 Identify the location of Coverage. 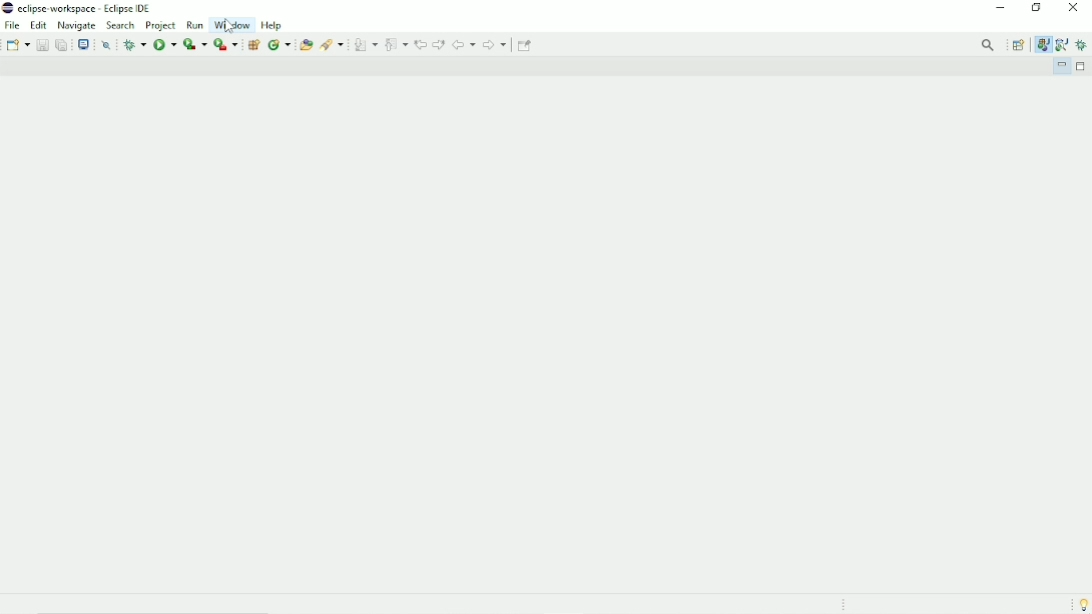
(194, 44).